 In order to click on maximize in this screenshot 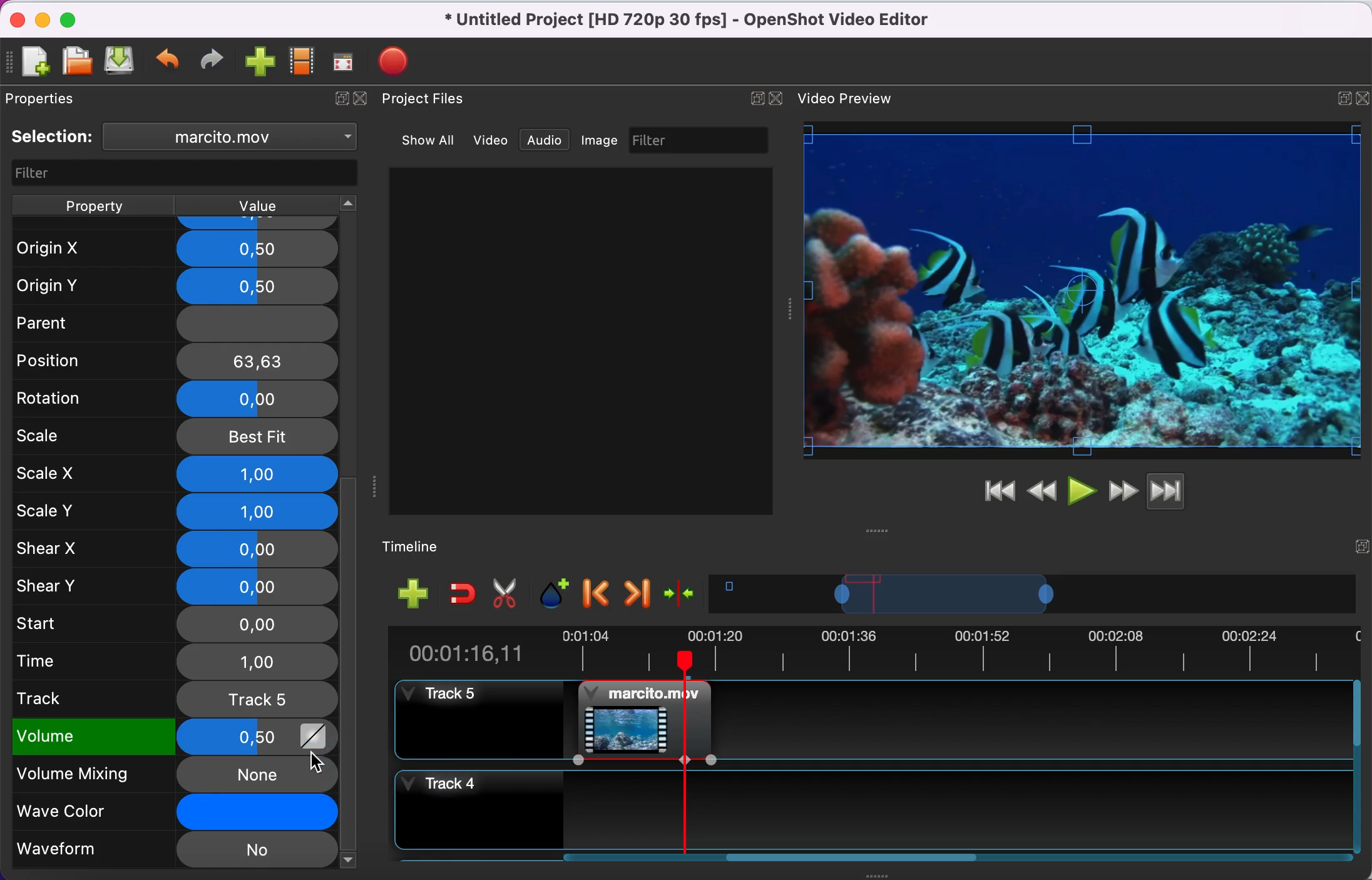, I will do `click(1339, 95)`.